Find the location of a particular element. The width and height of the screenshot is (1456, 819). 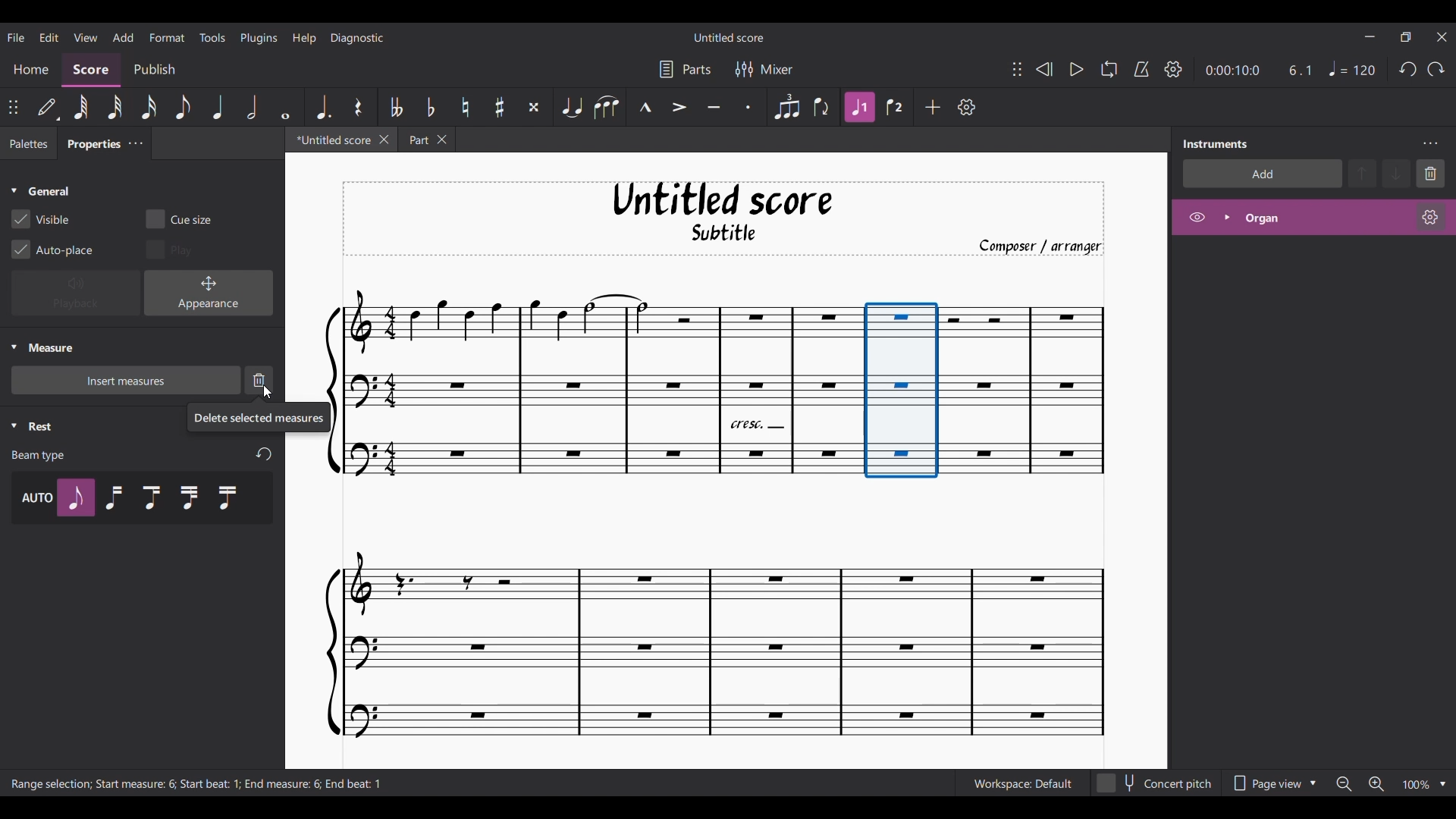

Close/Undock Properties tab is located at coordinates (135, 143).